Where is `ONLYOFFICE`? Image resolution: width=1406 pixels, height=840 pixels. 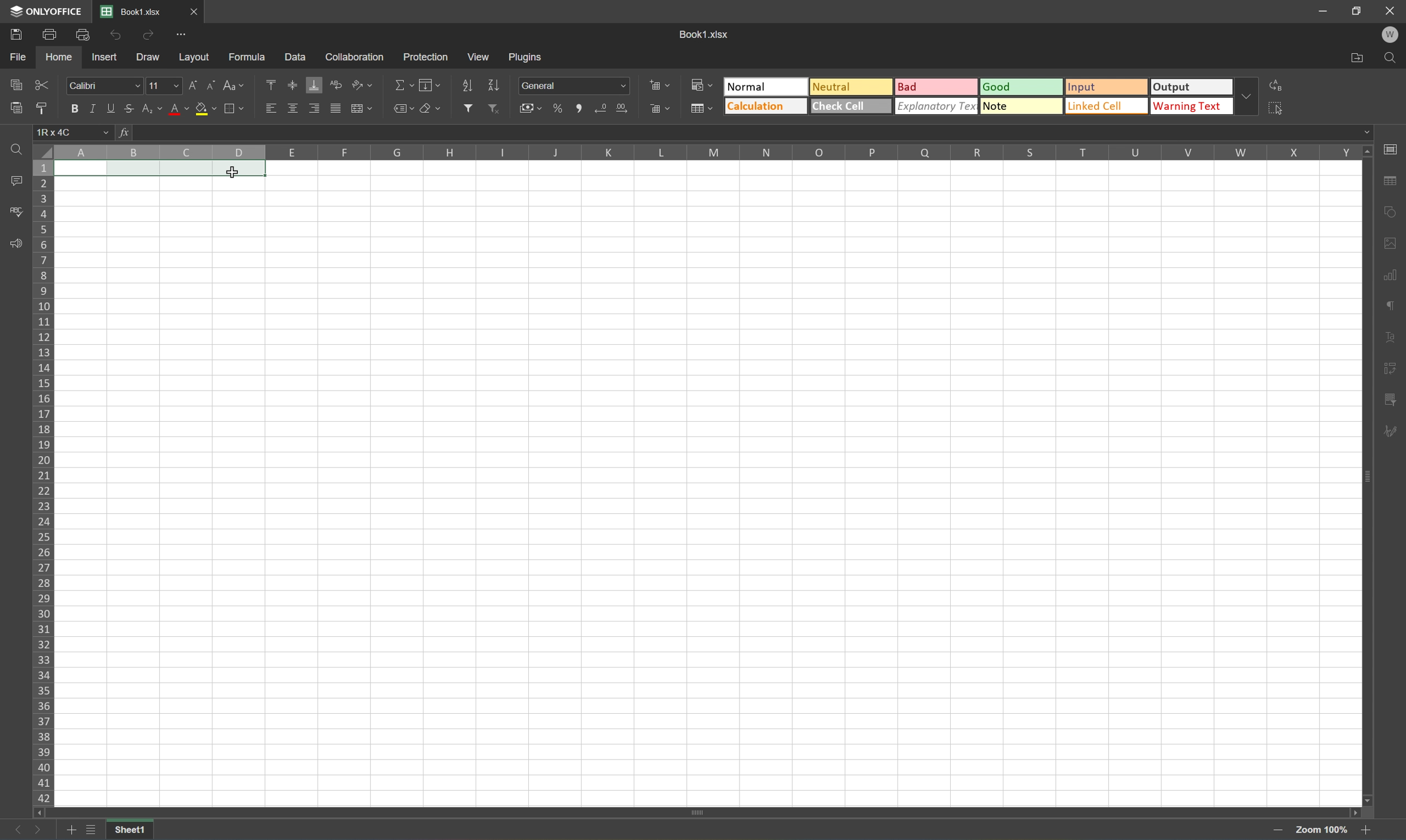
ONLYOFFICE is located at coordinates (44, 11).